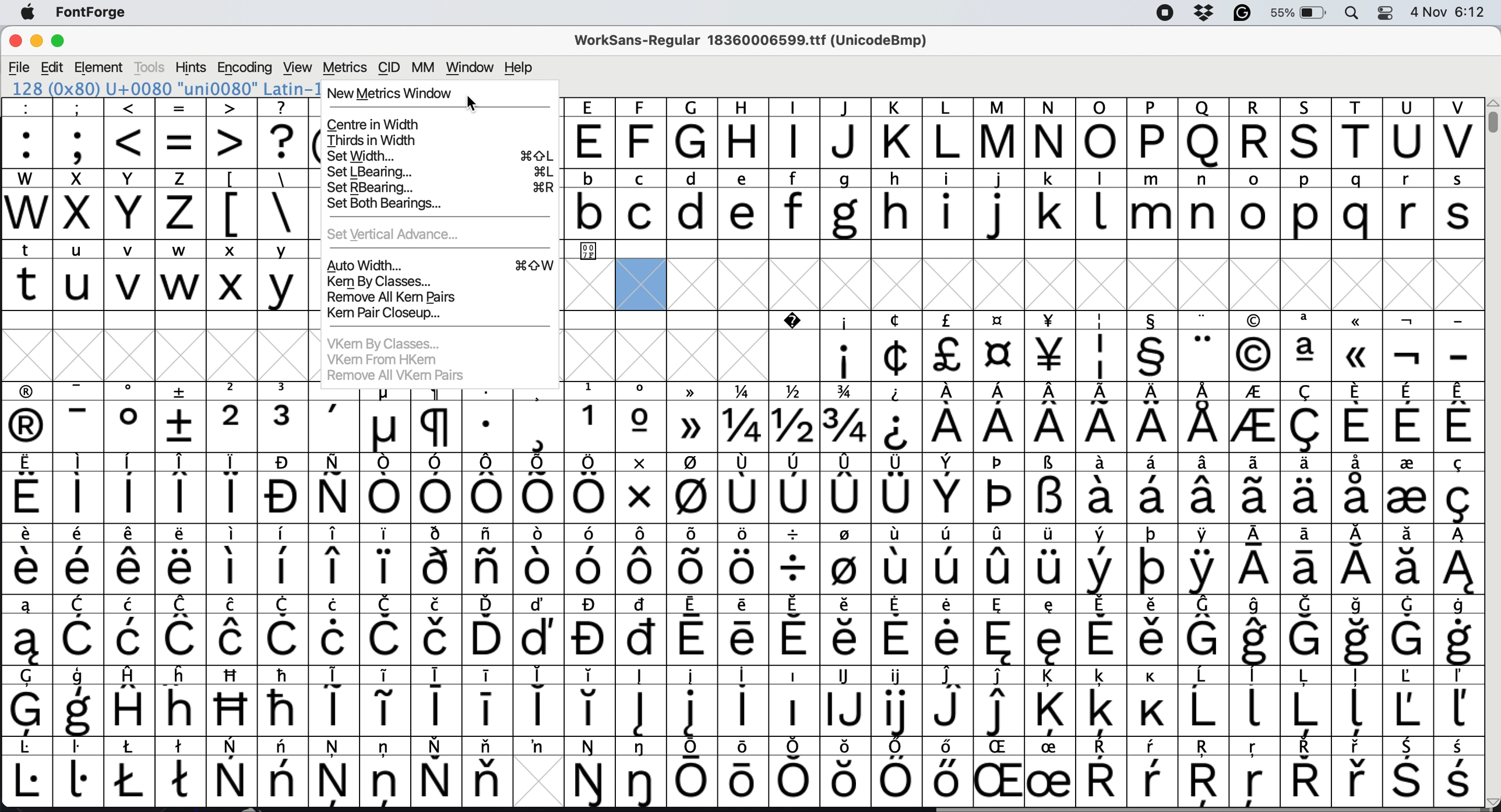 Image resolution: width=1501 pixels, height=812 pixels. I want to click on spotlight search, so click(1353, 14).